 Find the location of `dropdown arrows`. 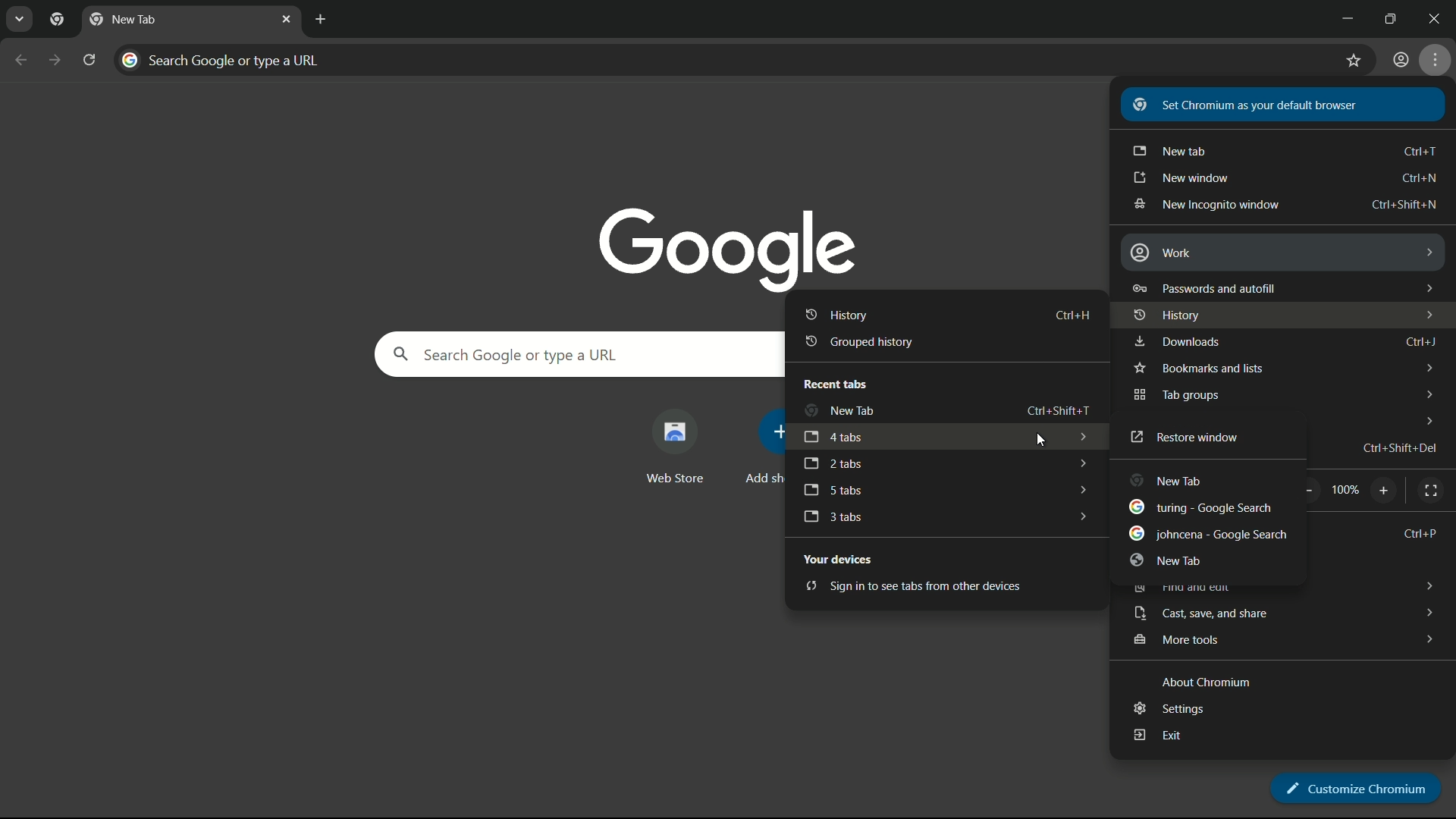

dropdown arrows is located at coordinates (1081, 515).